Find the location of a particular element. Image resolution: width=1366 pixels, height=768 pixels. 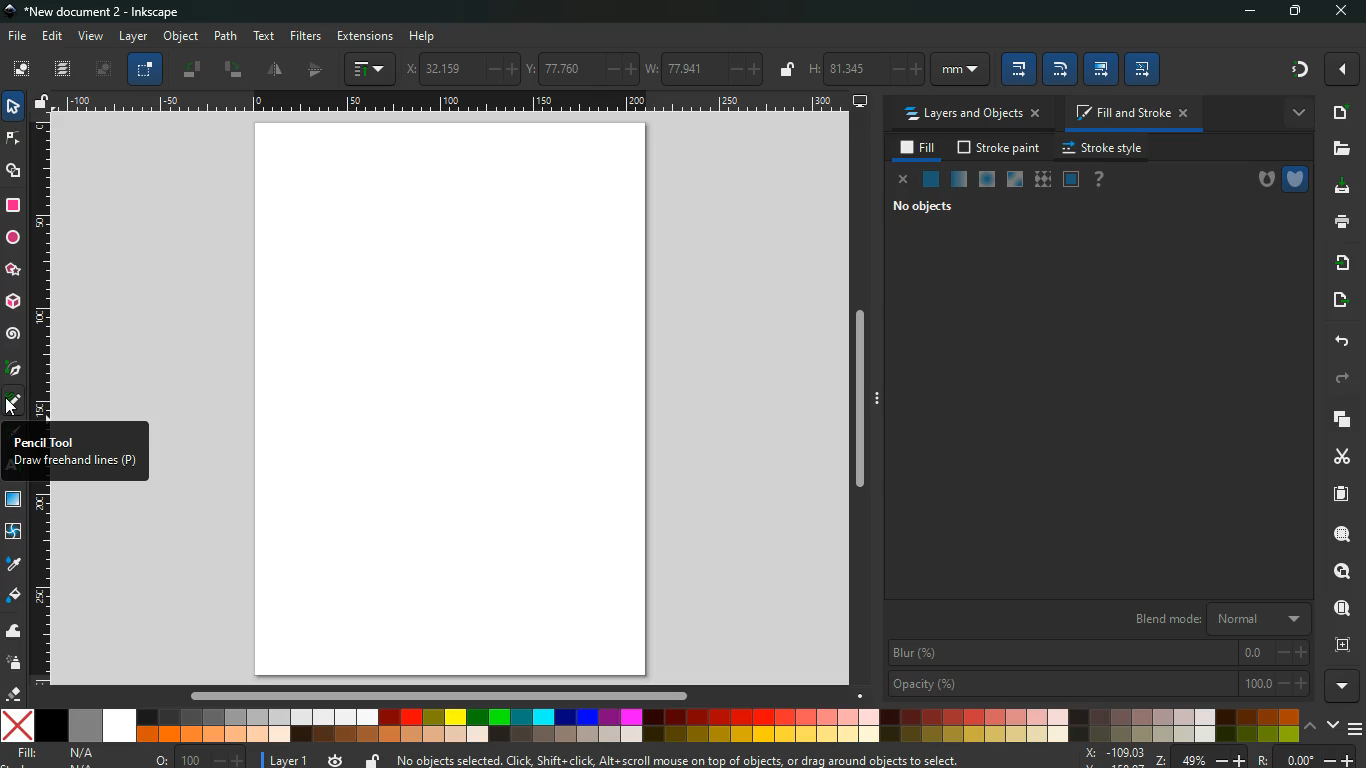

fill and stroke is located at coordinates (1135, 111).